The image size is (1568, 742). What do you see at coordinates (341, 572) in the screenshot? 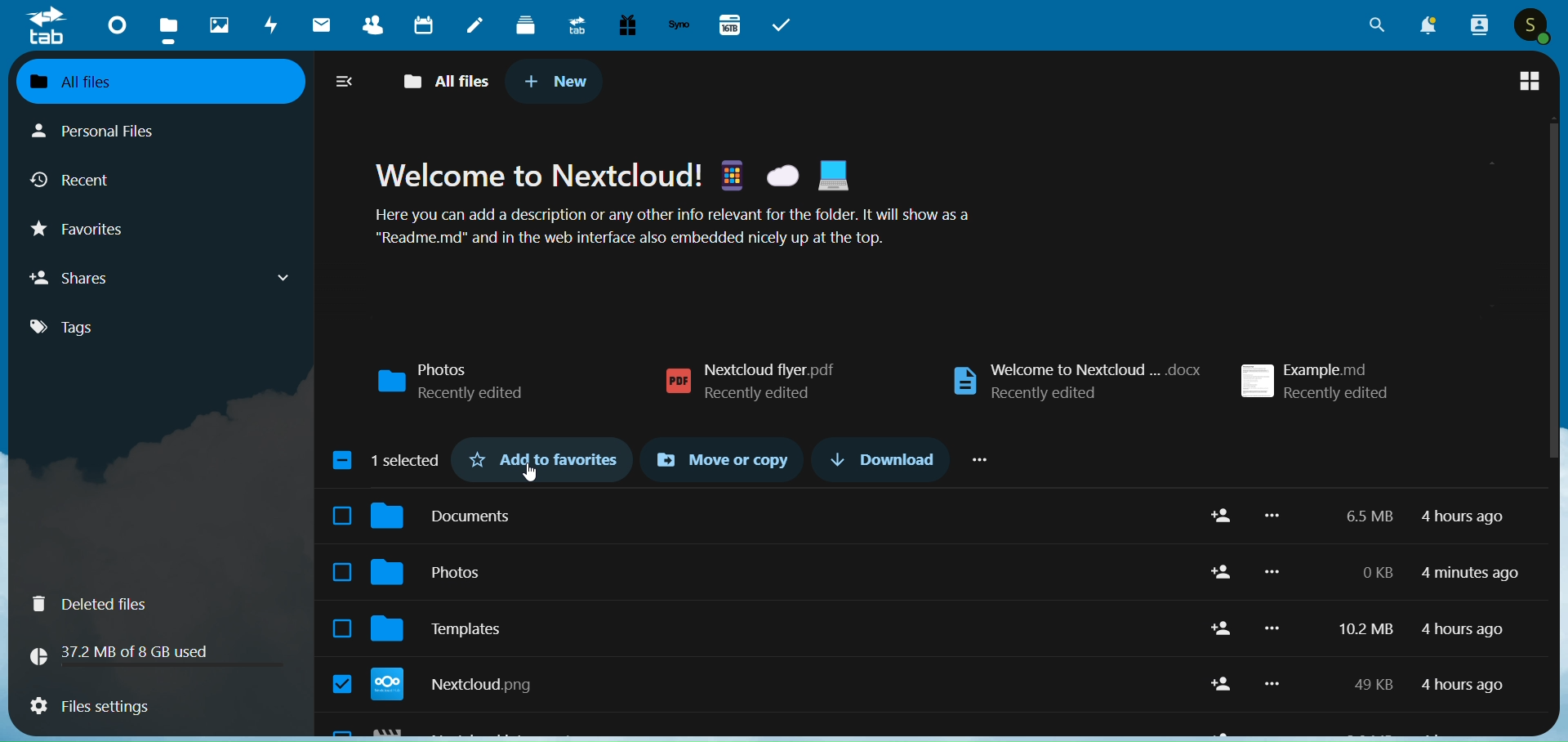
I see `Click to select` at bounding box center [341, 572].